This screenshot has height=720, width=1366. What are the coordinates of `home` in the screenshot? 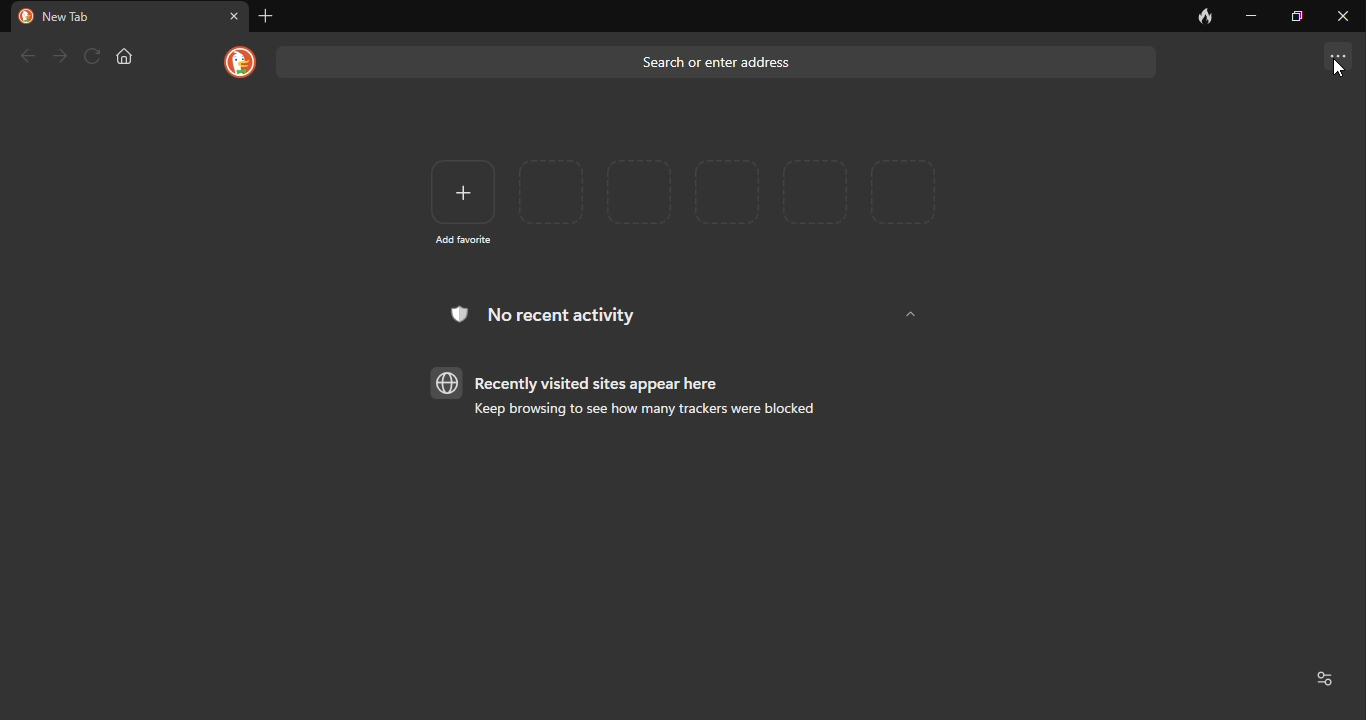 It's located at (127, 56).